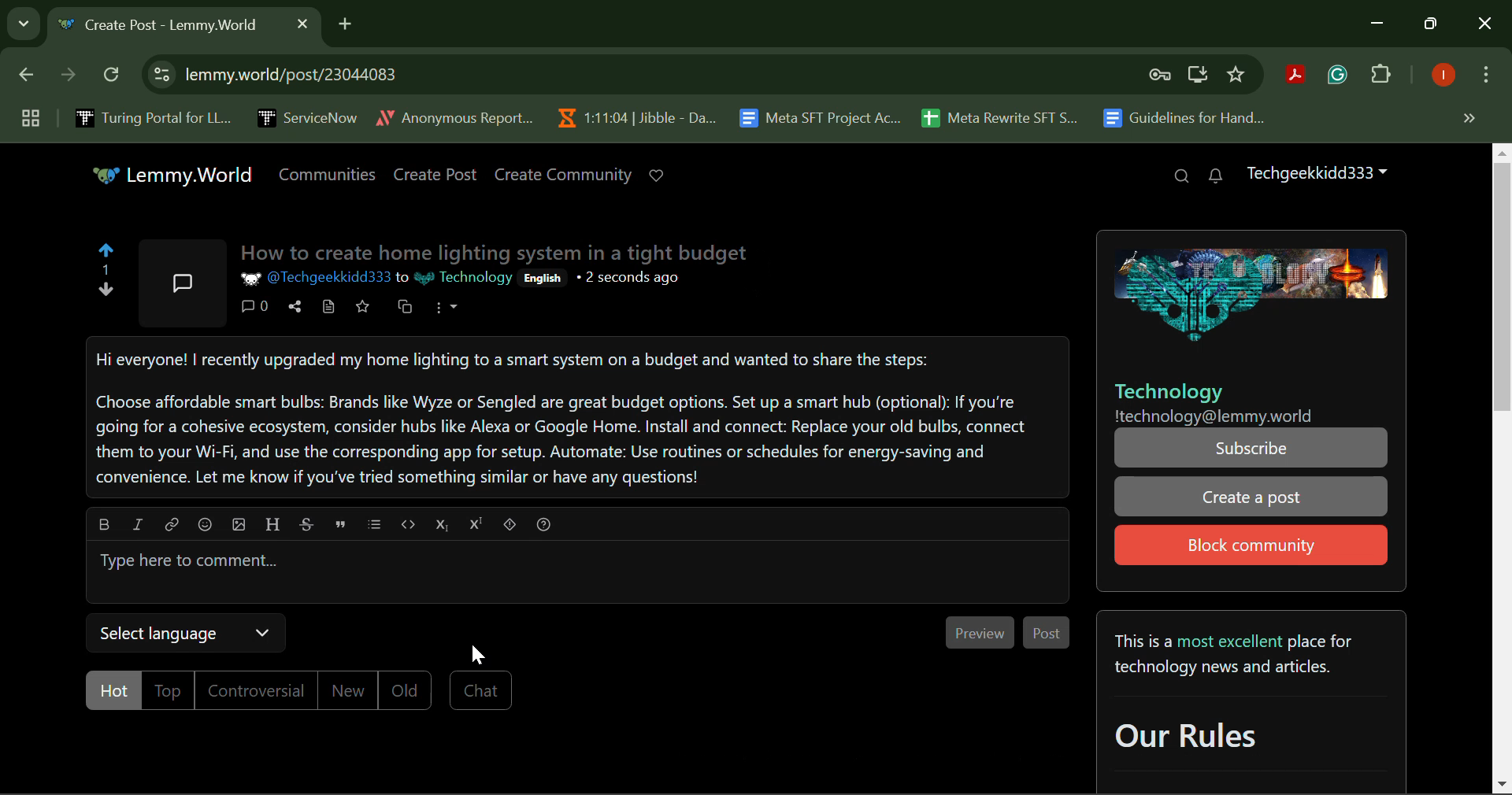 This screenshot has height=795, width=1512. I want to click on Vertical Scroll Bar, so click(1503, 469).